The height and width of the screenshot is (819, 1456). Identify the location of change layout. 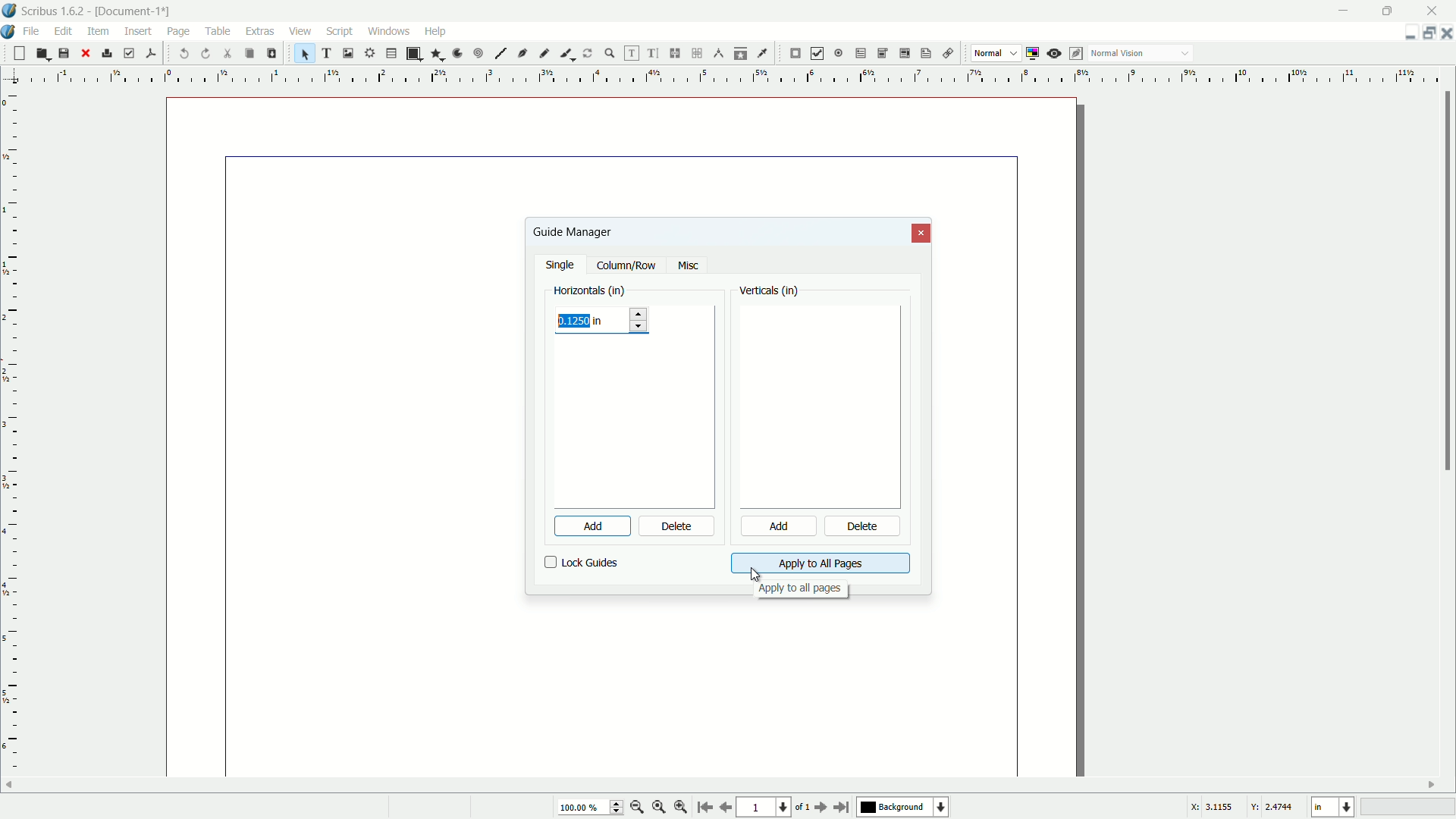
(1426, 33).